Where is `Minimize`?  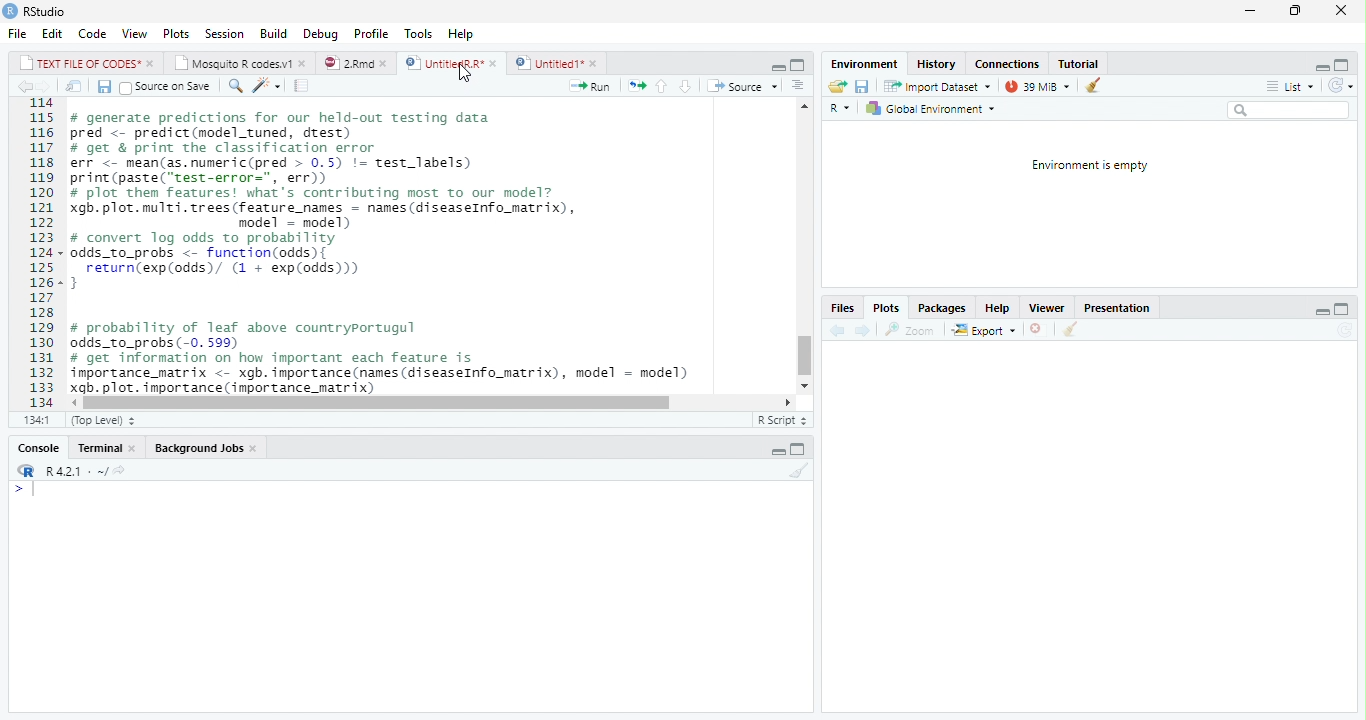 Minimize is located at coordinates (774, 65).